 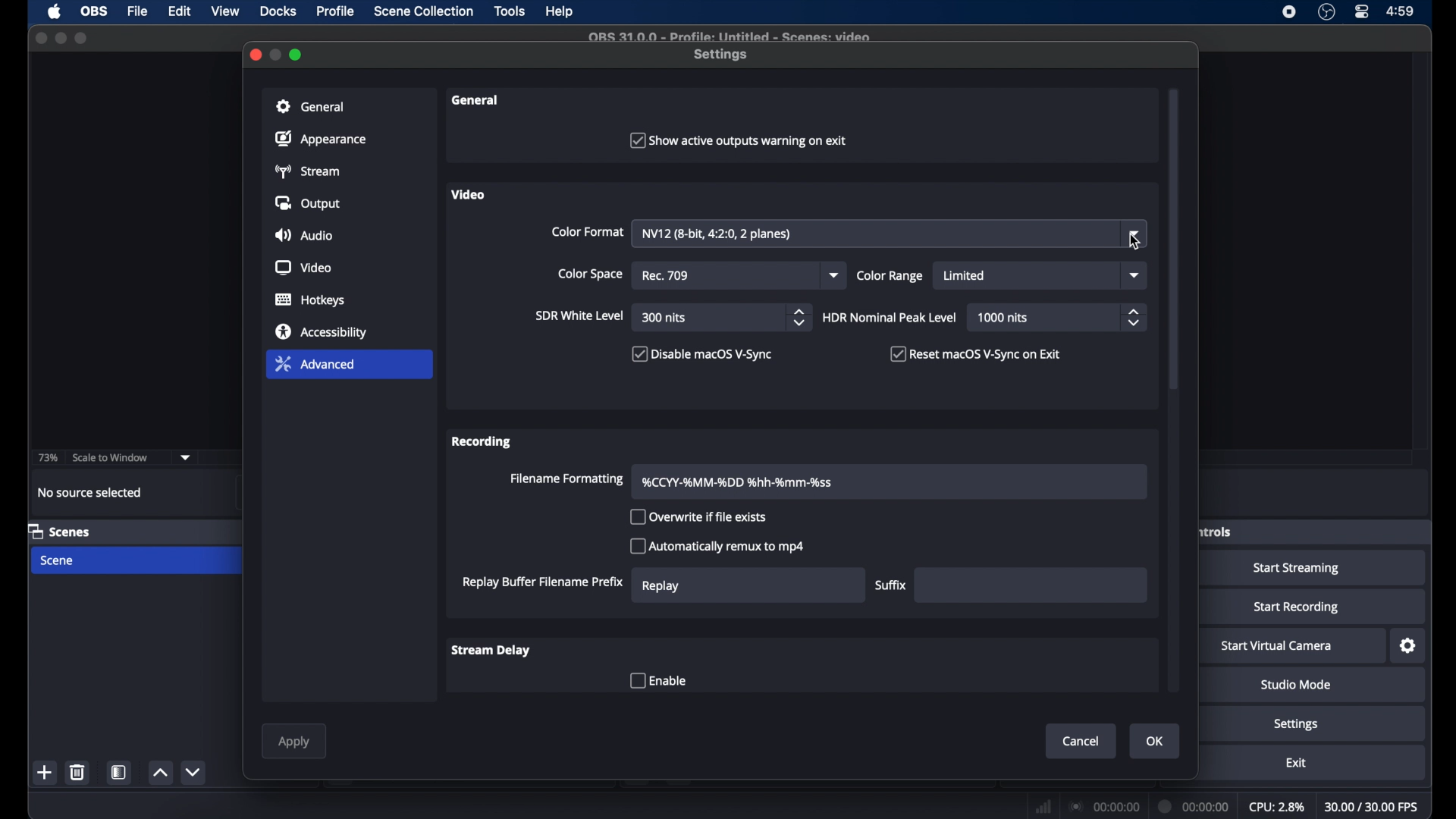 What do you see at coordinates (1134, 275) in the screenshot?
I see `dropdown` at bounding box center [1134, 275].